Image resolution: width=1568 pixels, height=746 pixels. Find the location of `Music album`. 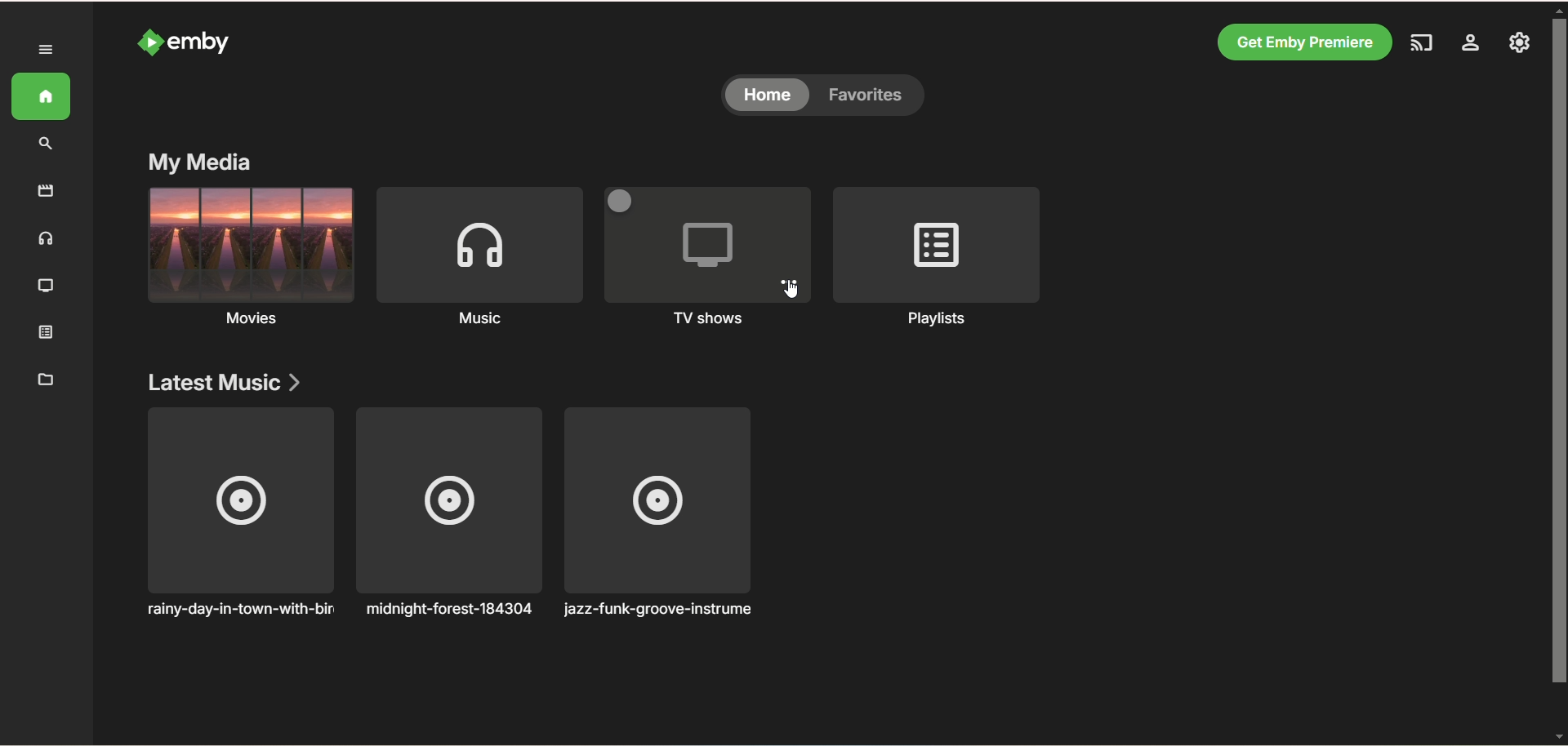

Music album is located at coordinates (449, 513).